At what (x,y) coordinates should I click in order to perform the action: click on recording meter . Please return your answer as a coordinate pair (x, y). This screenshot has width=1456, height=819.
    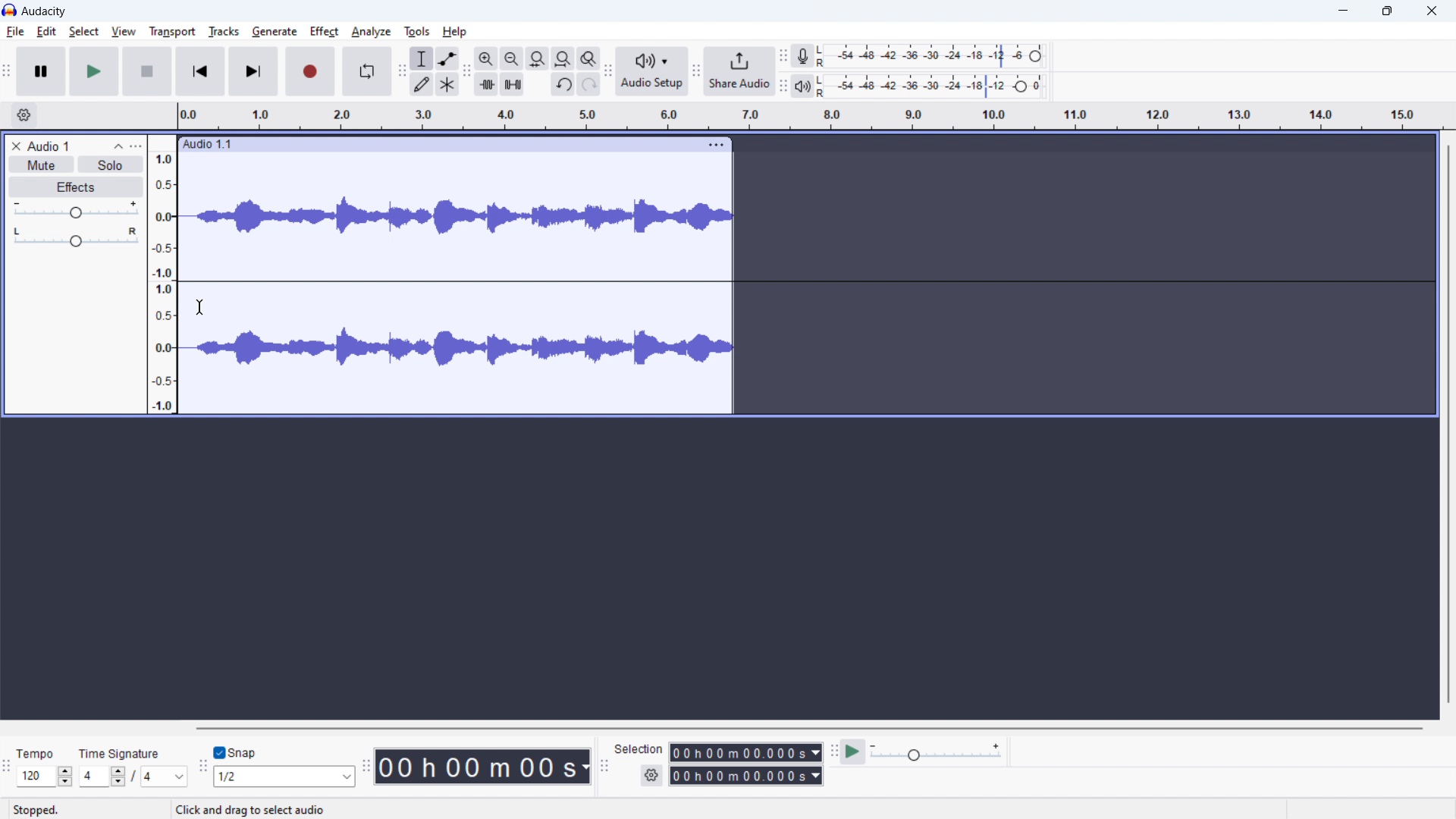
    Looking at the image, I should click on (807, 55).